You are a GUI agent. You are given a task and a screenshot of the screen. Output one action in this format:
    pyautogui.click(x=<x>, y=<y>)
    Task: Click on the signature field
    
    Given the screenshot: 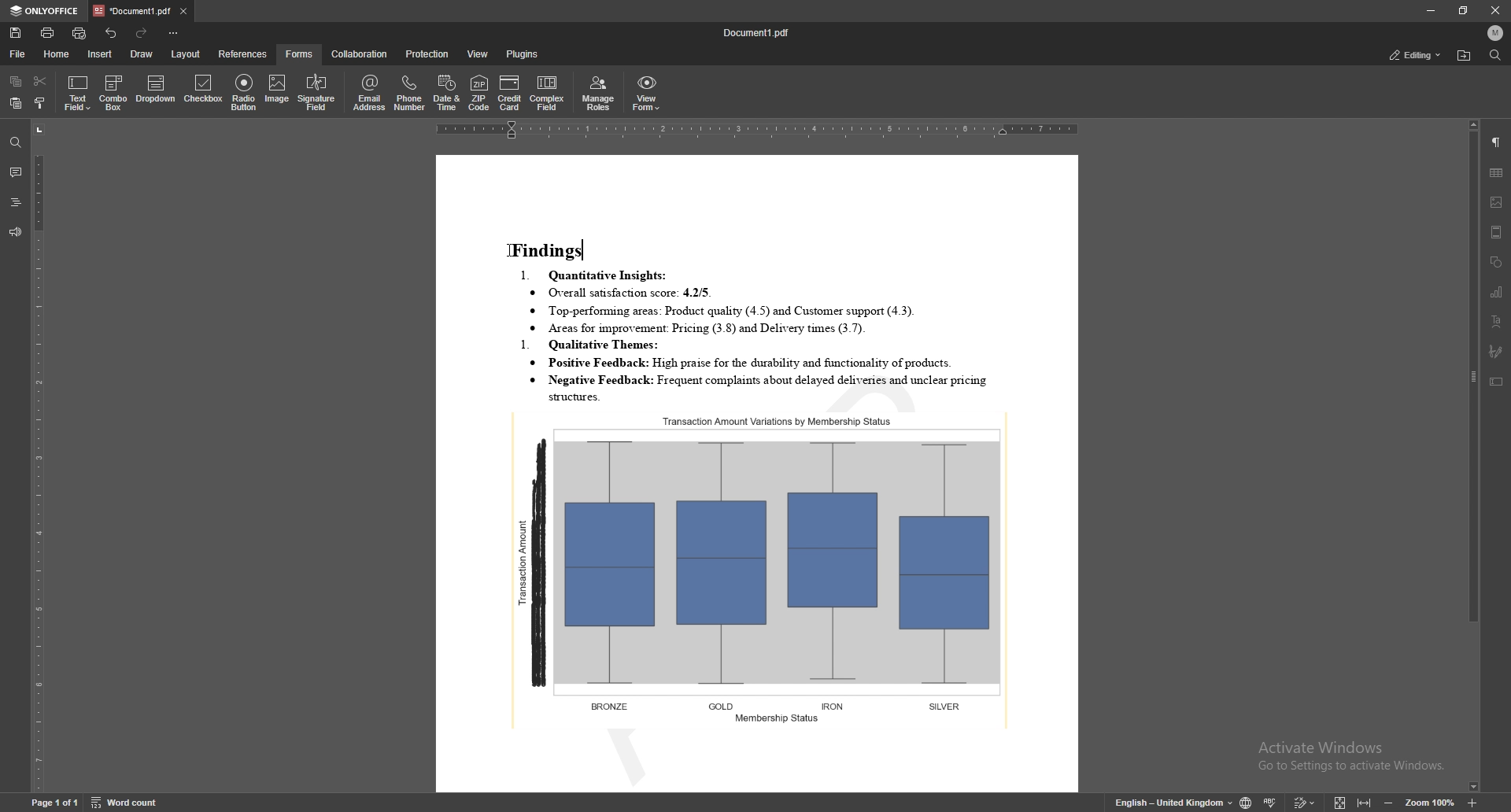 What is the action you would take?
    pyautogui.click(x=317, y=92)
    